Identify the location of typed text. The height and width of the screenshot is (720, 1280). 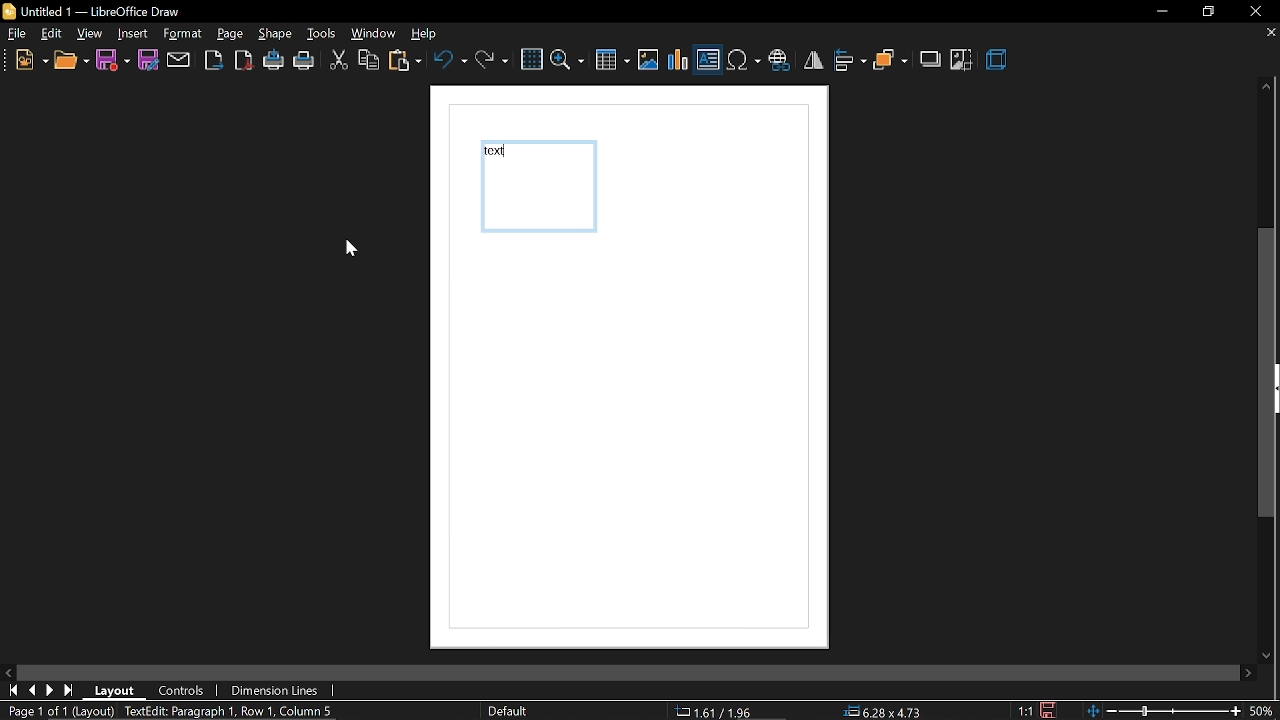
(497, 152).